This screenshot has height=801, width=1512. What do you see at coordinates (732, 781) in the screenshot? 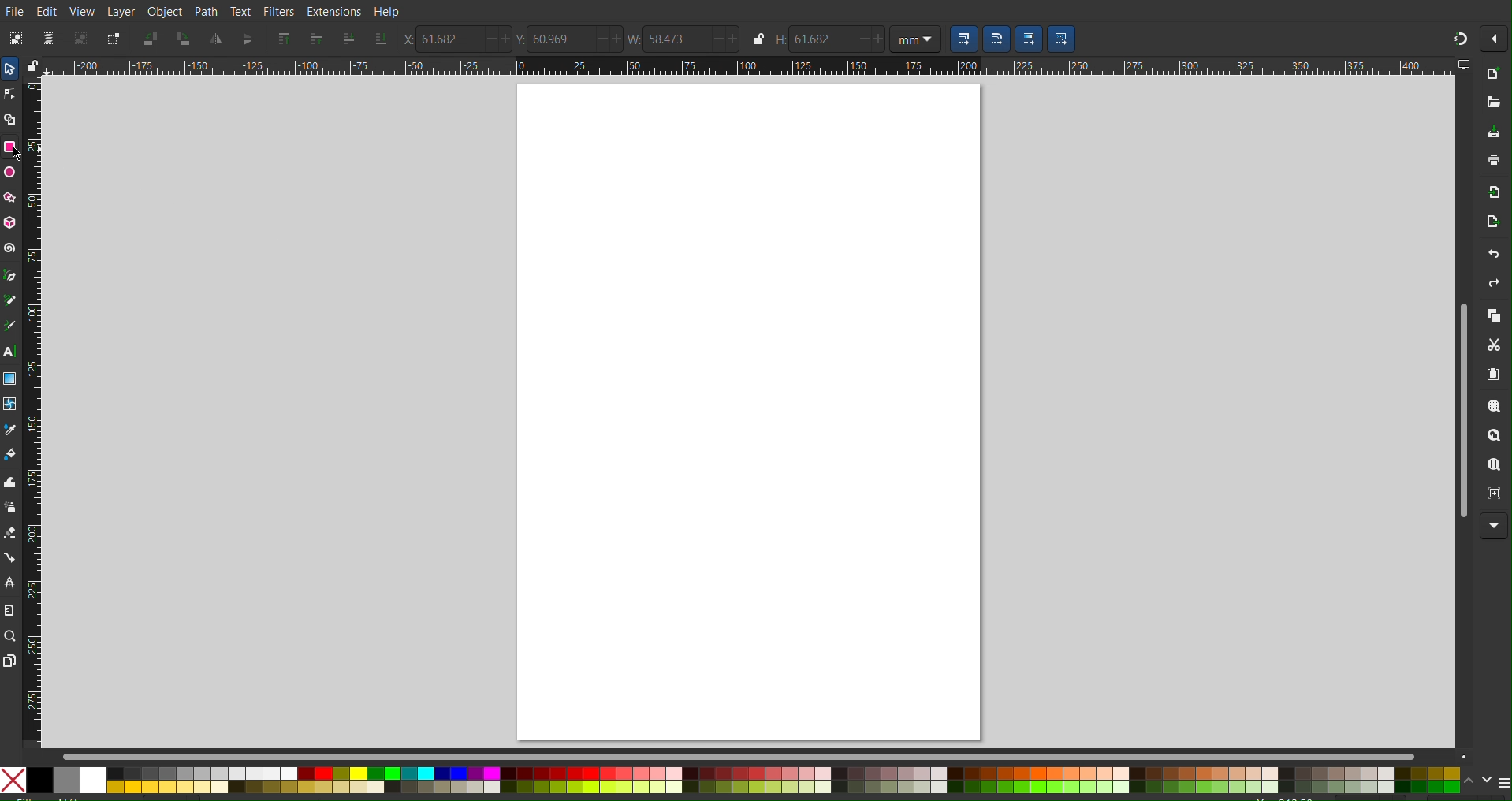
I see `Color Options` at bounding box center [732, 781].